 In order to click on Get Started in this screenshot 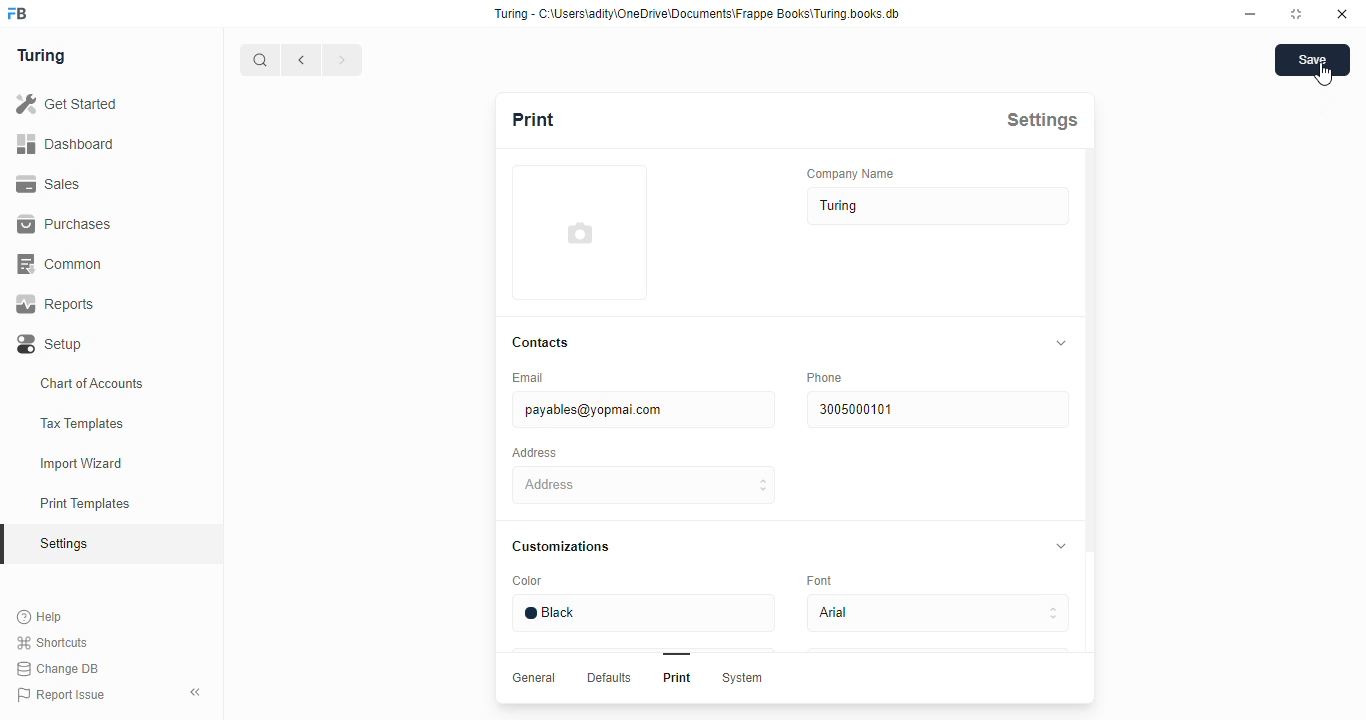, I will do `click(91, 102)`.